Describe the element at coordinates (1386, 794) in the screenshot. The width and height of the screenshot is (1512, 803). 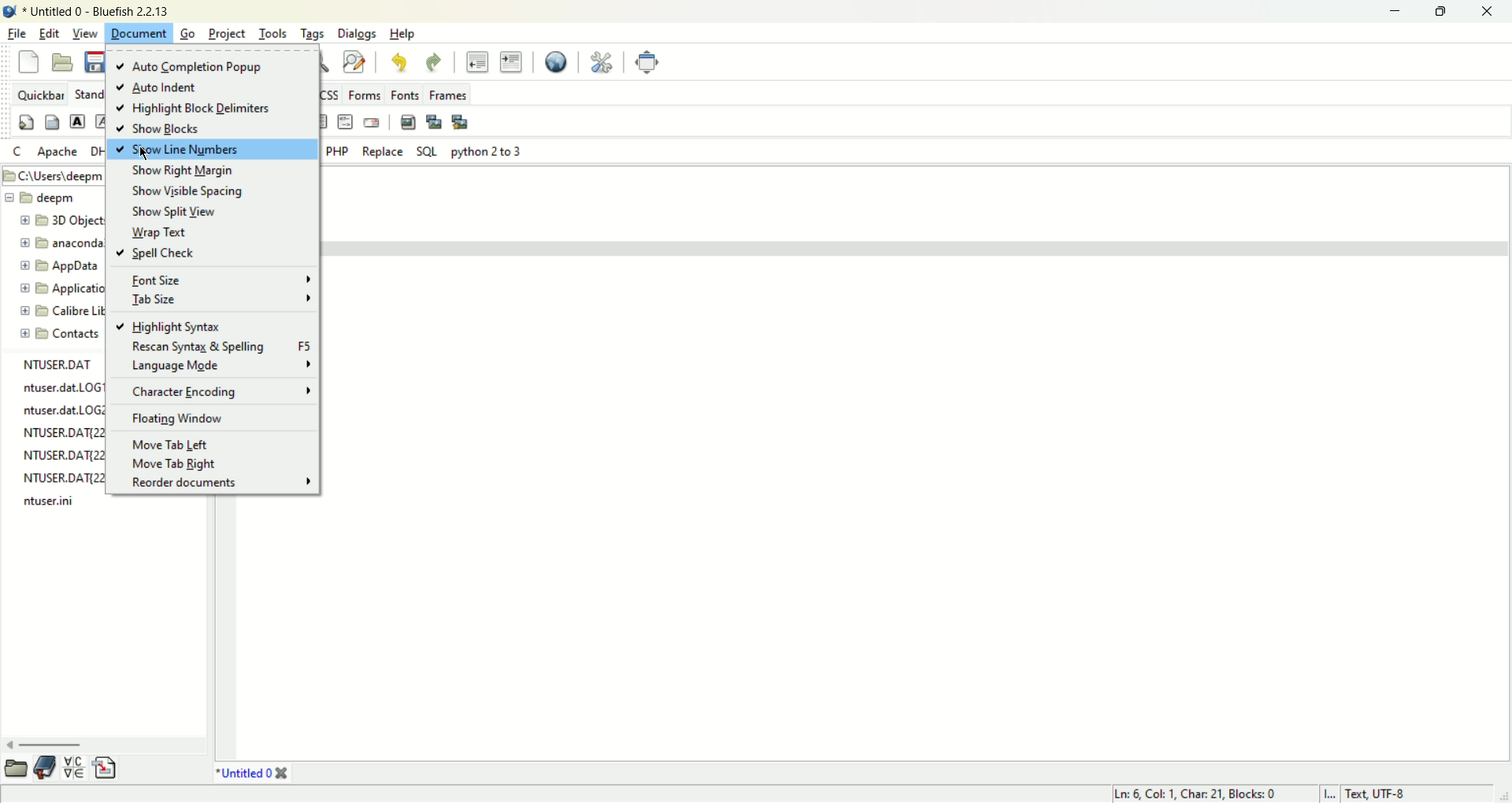
I see `text, UTF-8` at that location.